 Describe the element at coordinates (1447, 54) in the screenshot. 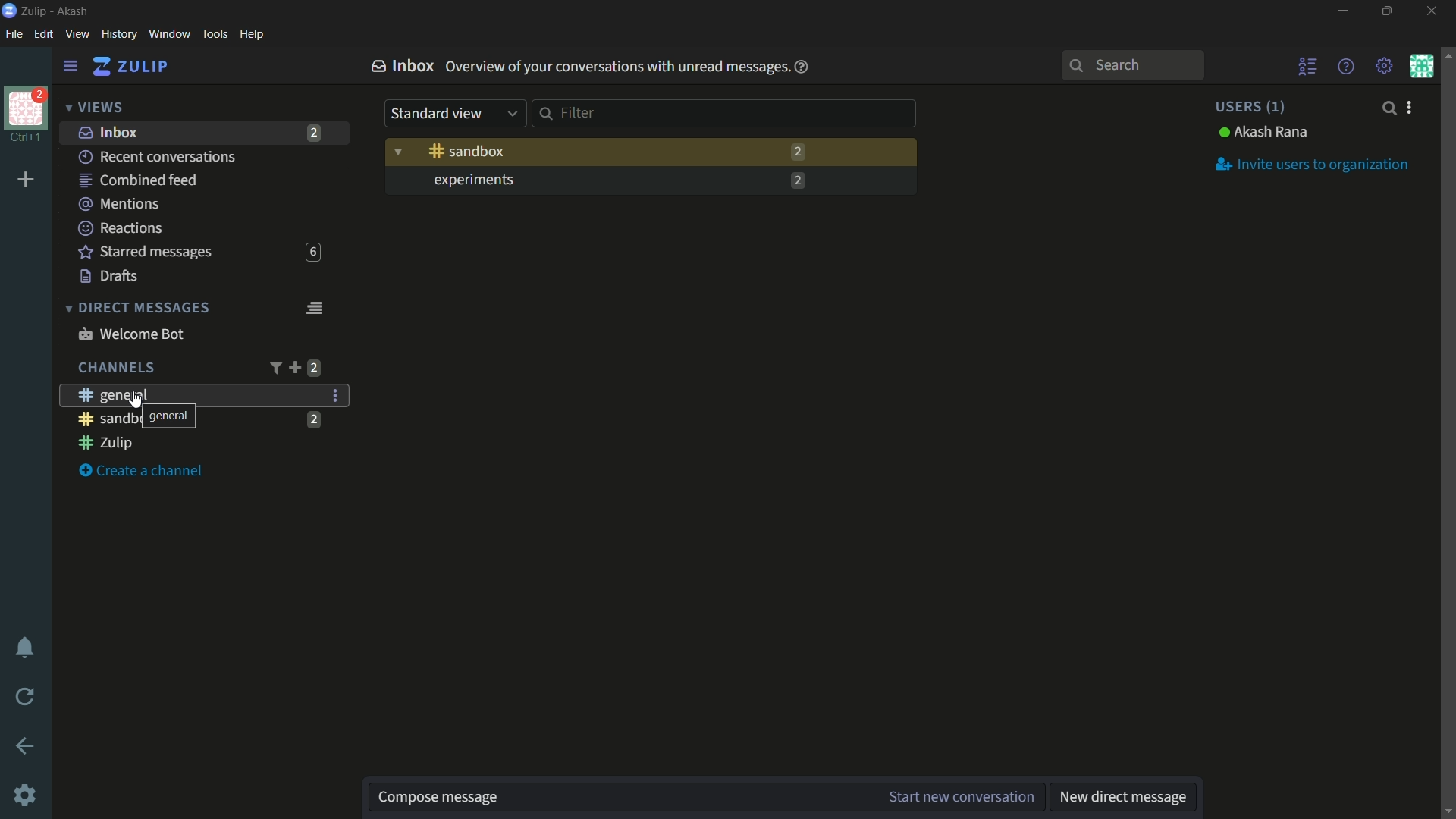

I see `scroll up` at that location.